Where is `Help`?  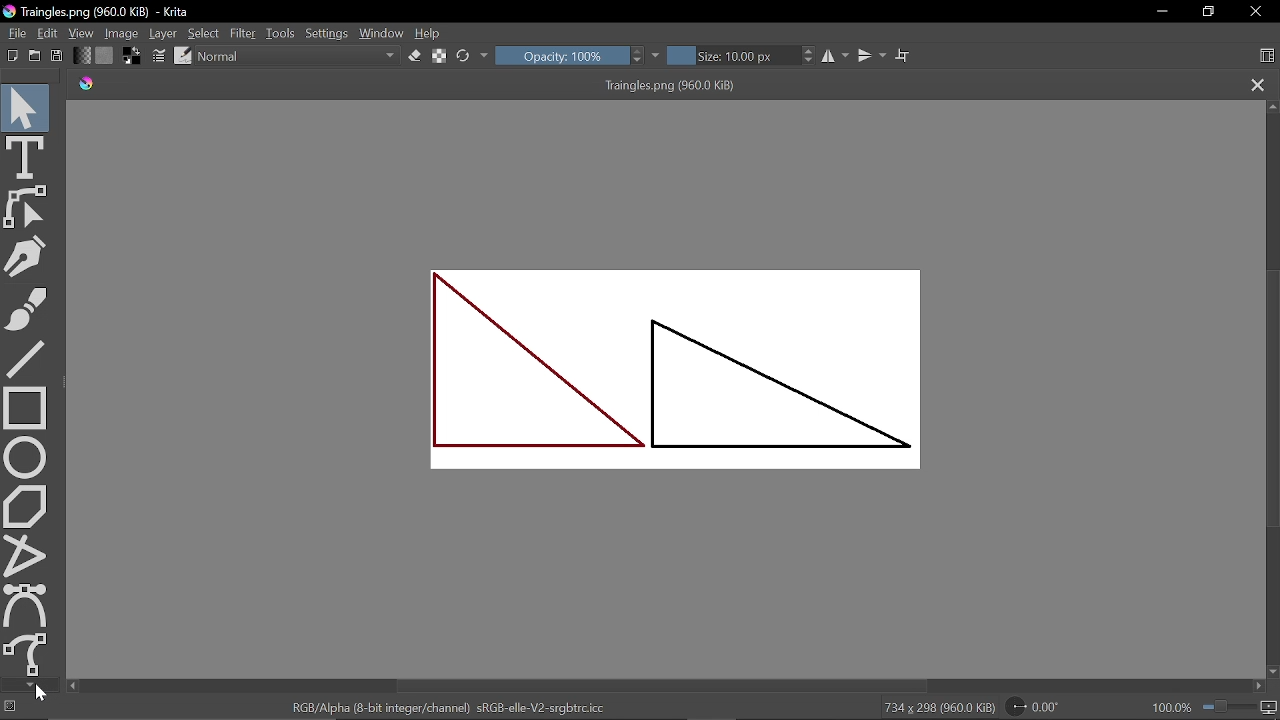 Help is located at coordinates (430, 34).